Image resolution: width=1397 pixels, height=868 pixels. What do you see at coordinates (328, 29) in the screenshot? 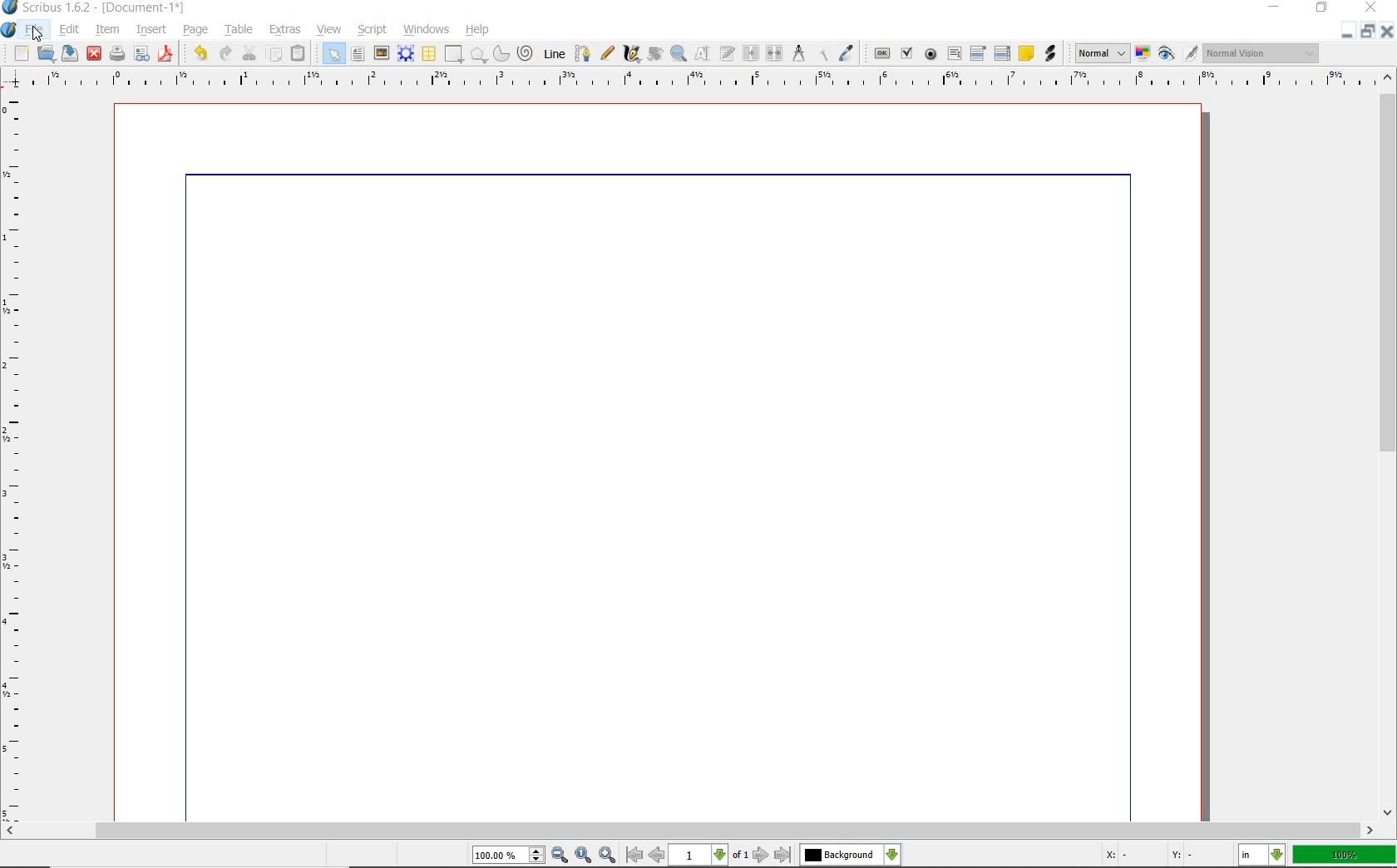
I see `view` at bounding box center [328, 29].